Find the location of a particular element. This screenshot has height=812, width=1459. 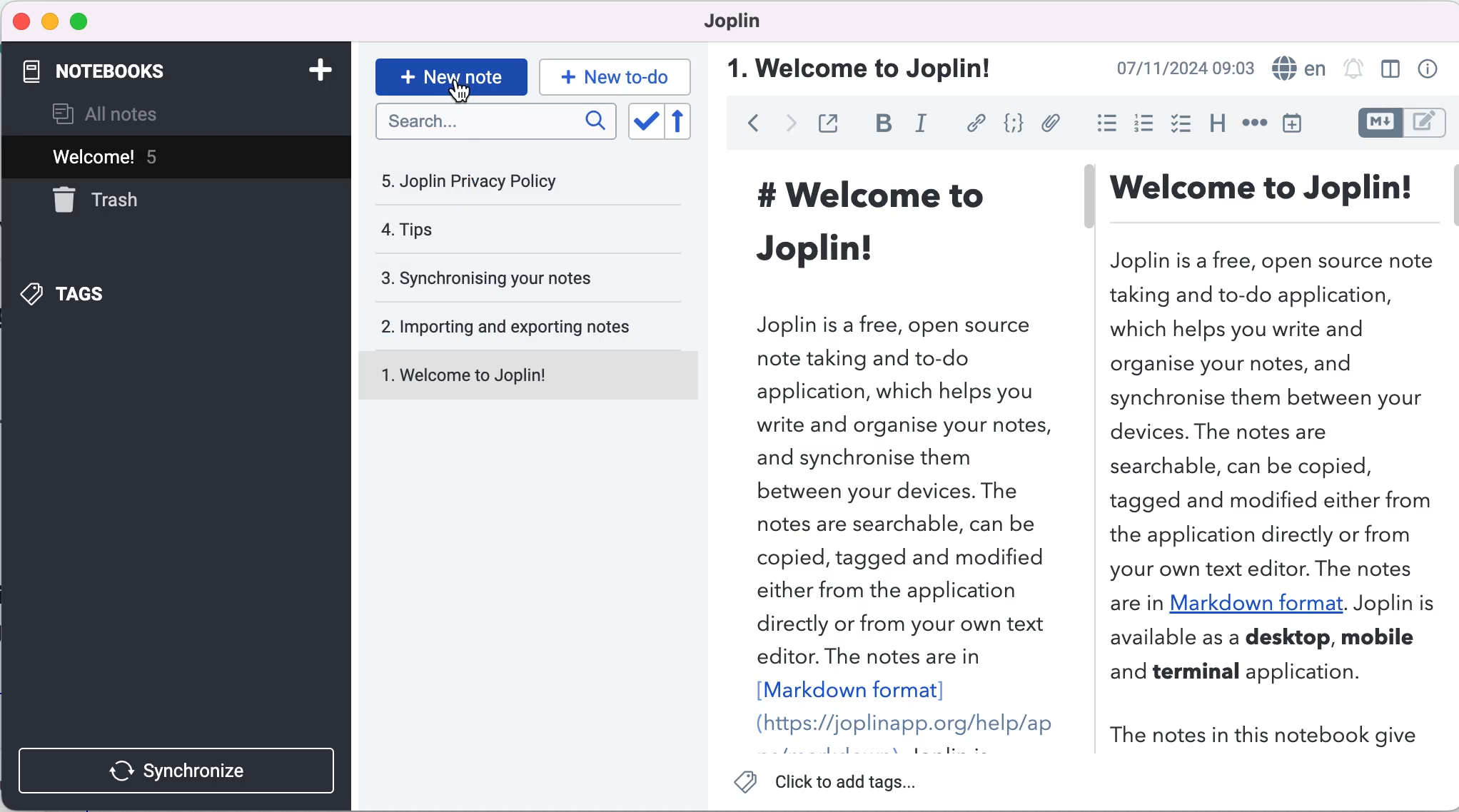

vertical slider is located at coordinates (1089, 213).